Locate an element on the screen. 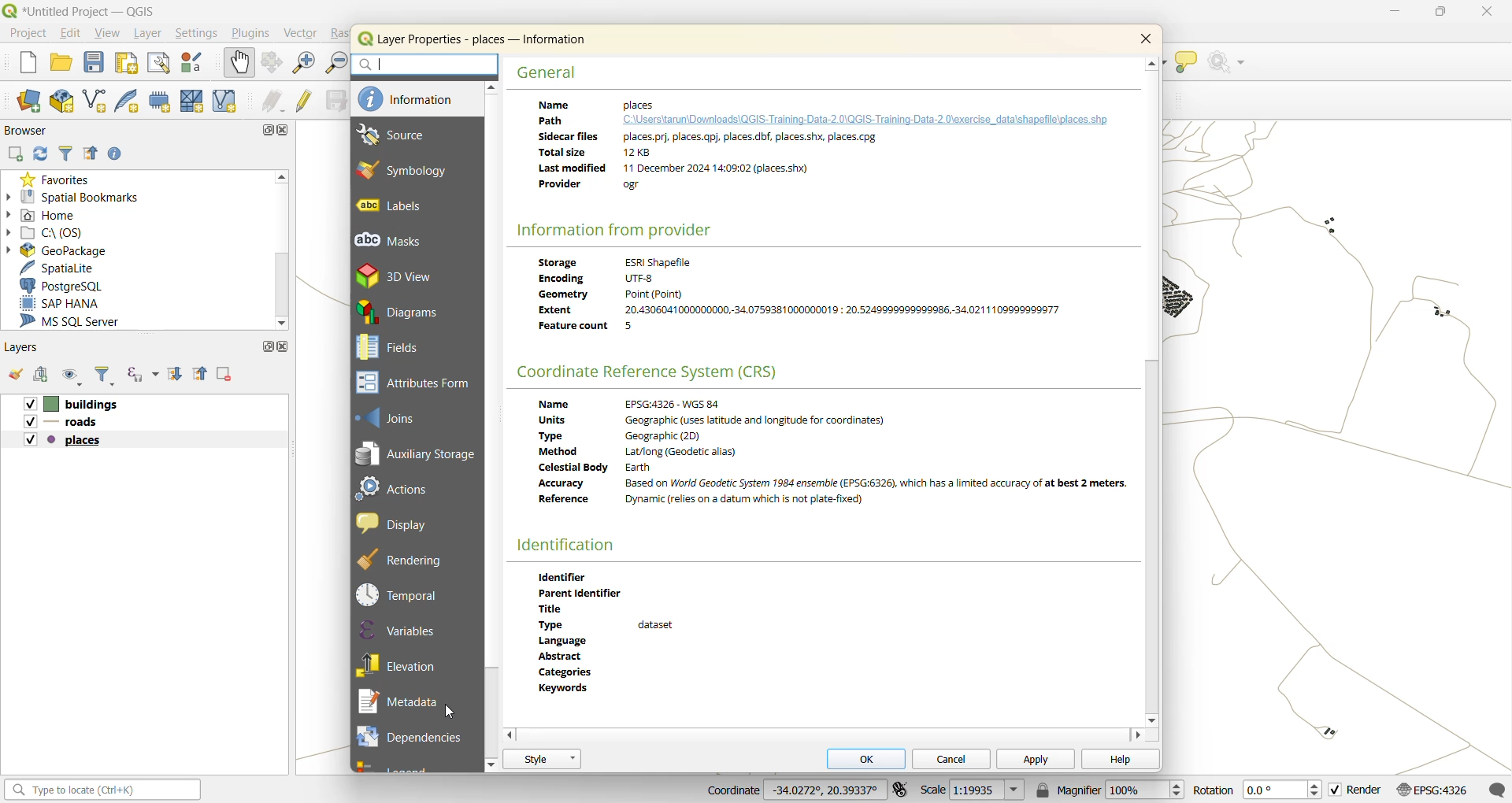 The image size is (1512, 803). attribute forms is located at coordinates (413, 382).